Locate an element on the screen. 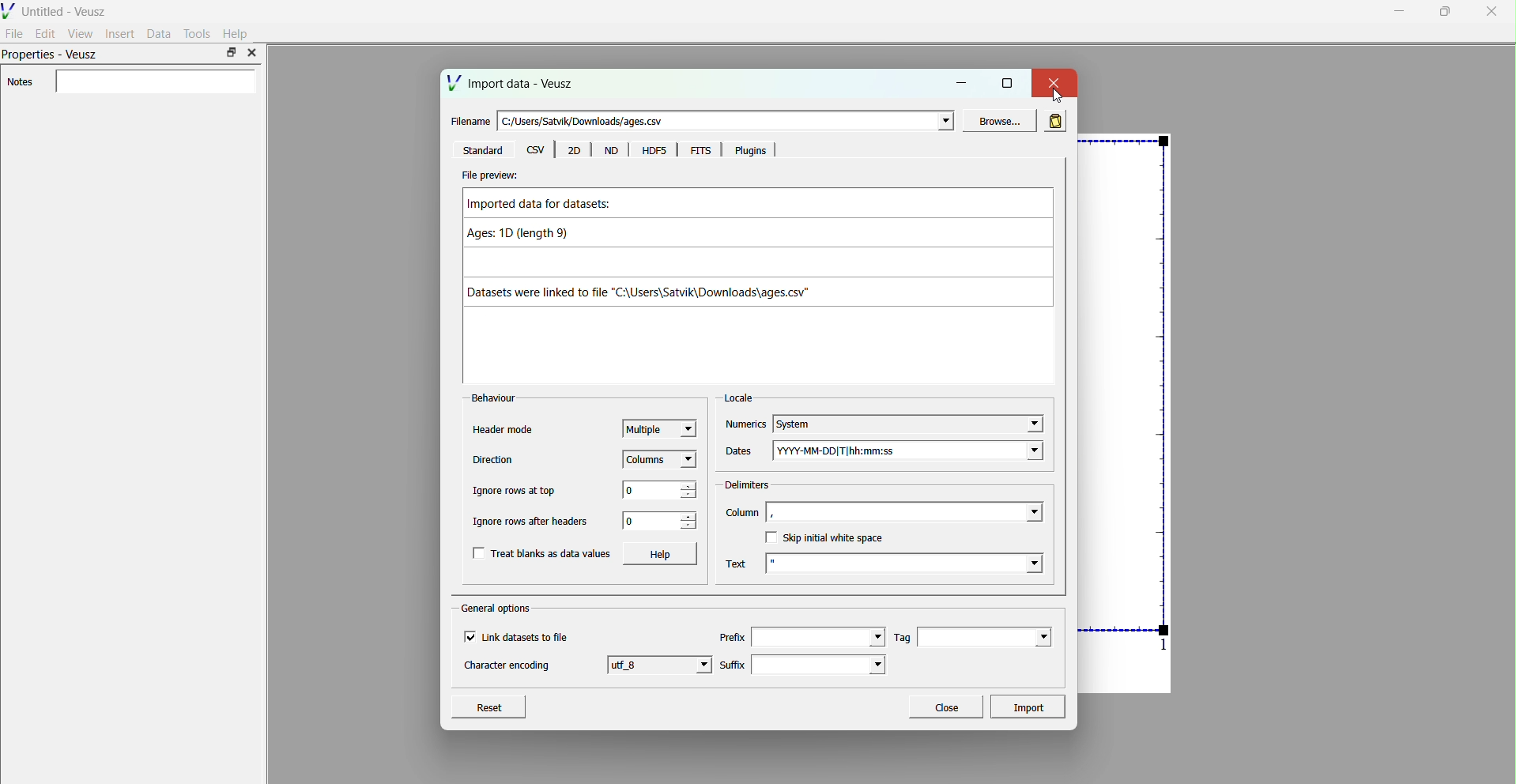  Import data - Veusz is located at coordinates (512, 83).